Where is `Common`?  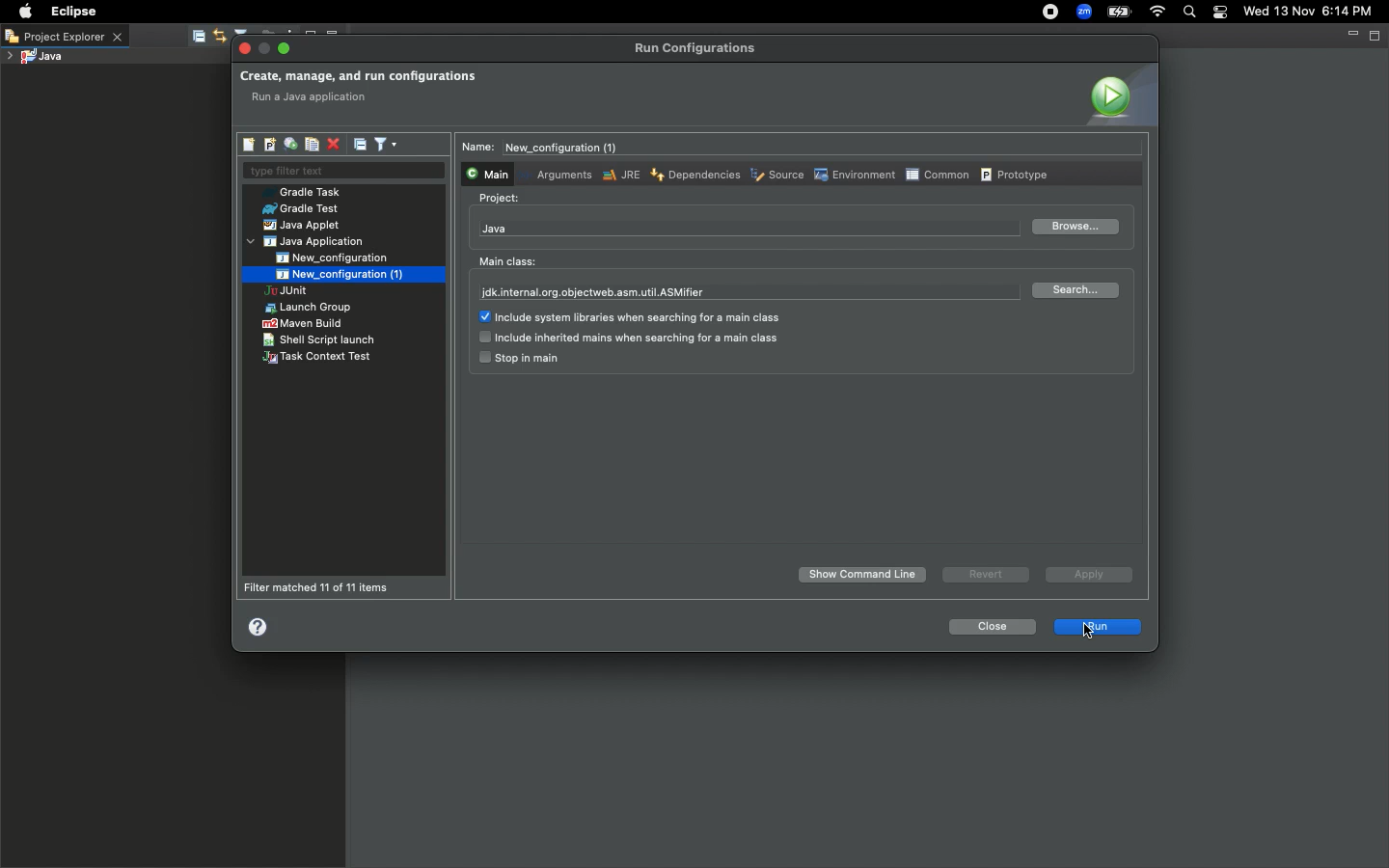
Common is located at coordinates (937, 174).